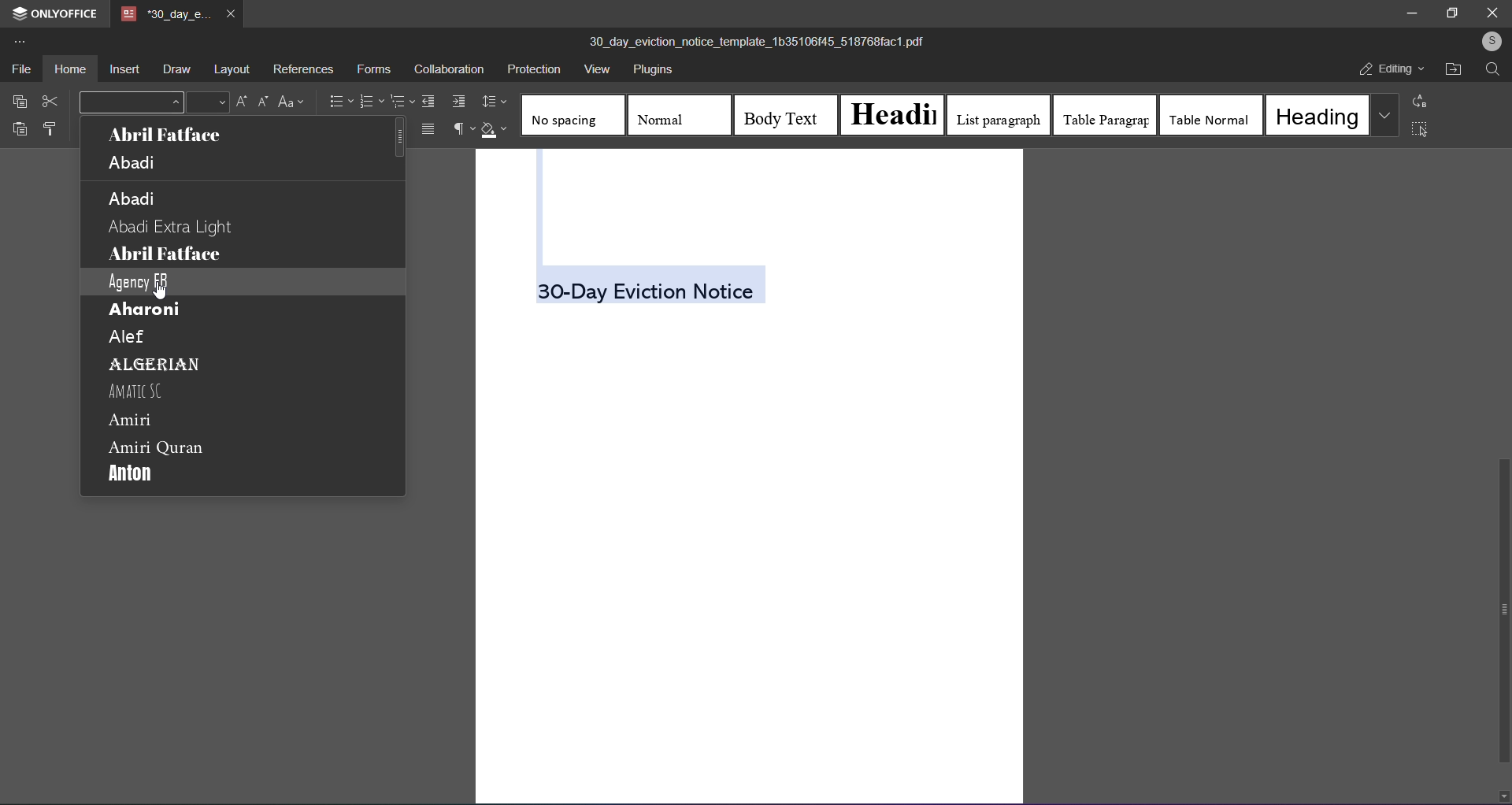 The image size is (1512, 805). Describe the element at coordinates (1493, 13) in the screenshot. I see `close` at that location.